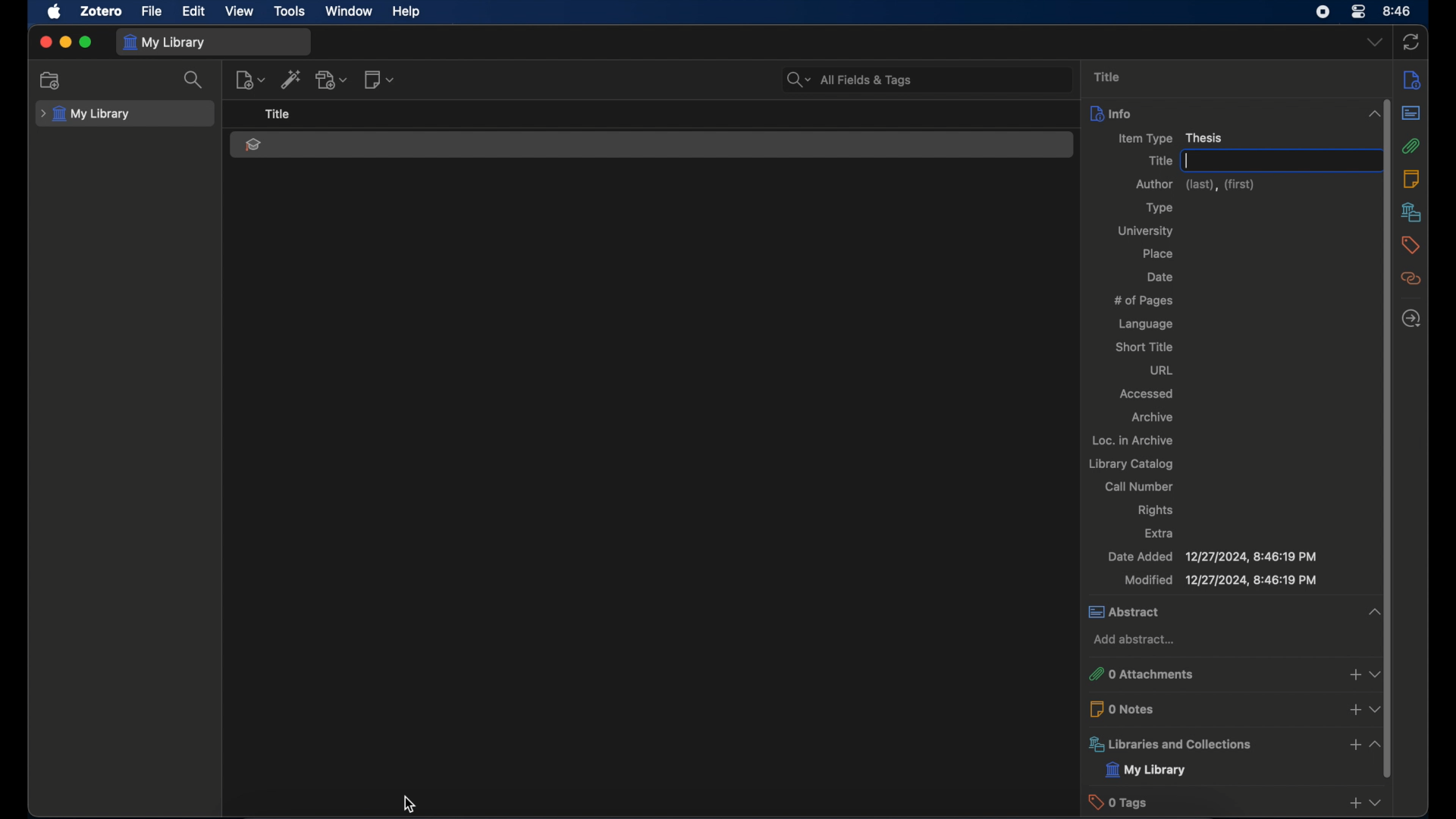 The width and height of the screenshot is (1456, 819). I want to click on locate, so click(1410, 319).